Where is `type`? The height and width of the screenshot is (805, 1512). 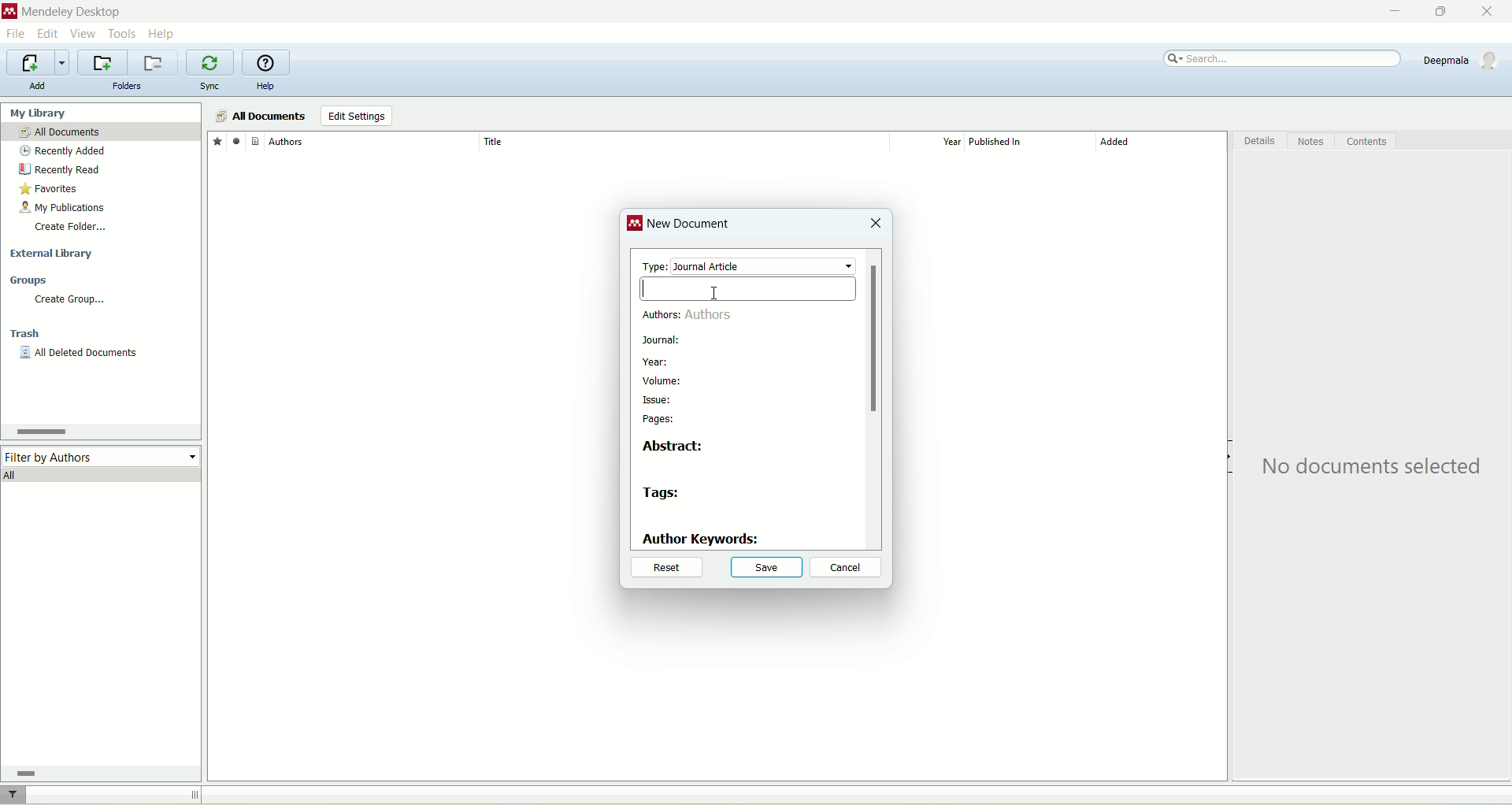
type is located at coordinates (750, 265).